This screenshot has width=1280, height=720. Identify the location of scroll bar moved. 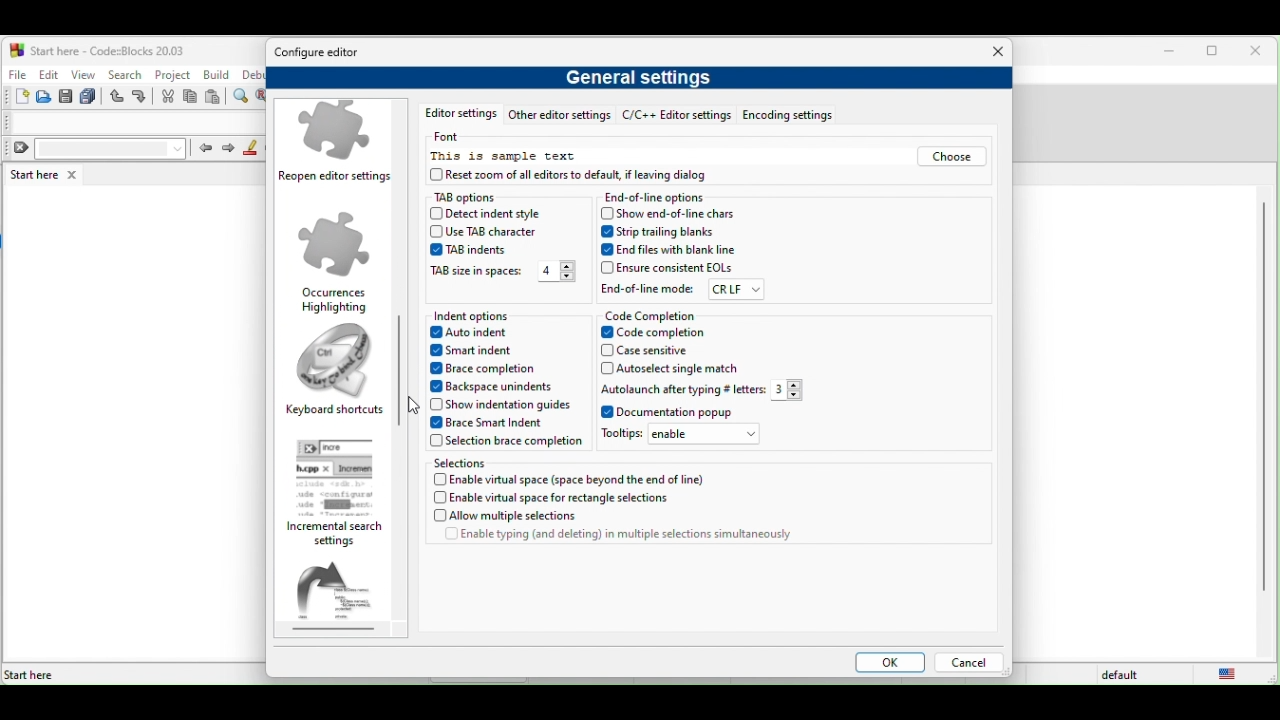
(398, 354).